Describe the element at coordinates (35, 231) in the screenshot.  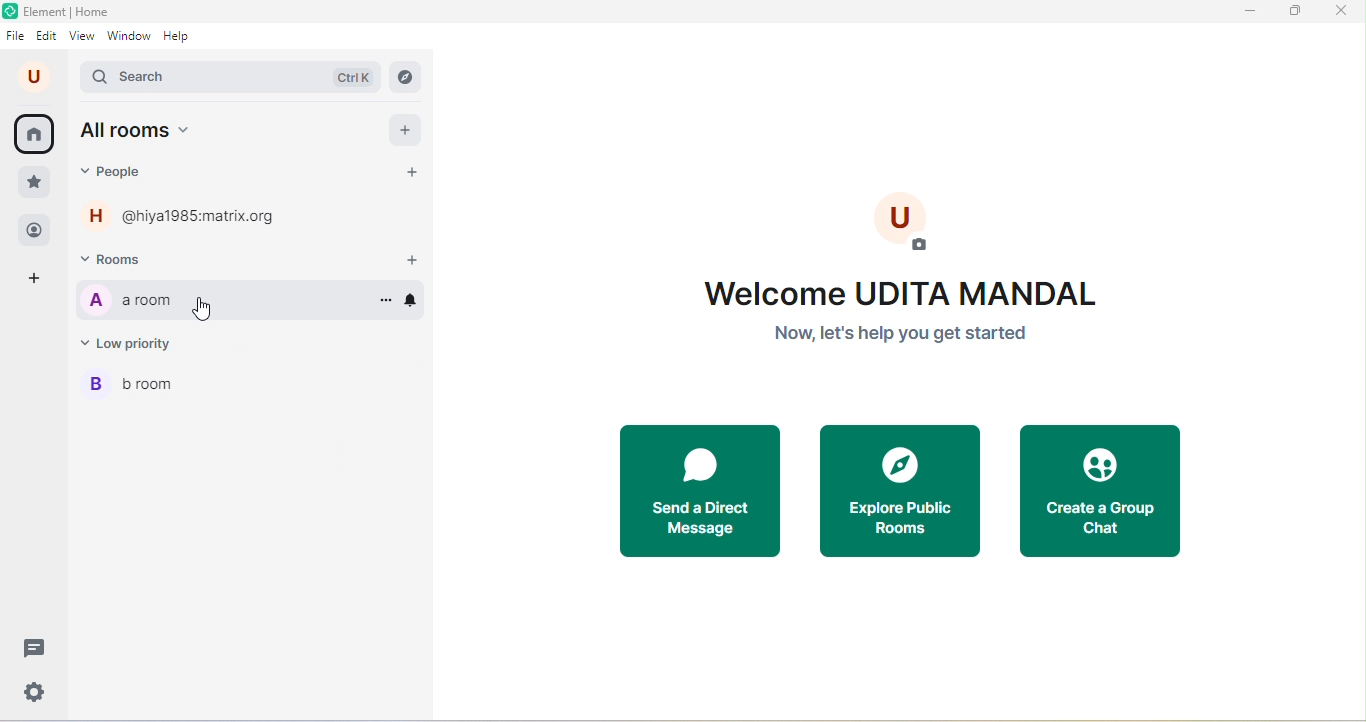
I see `people` at that location.